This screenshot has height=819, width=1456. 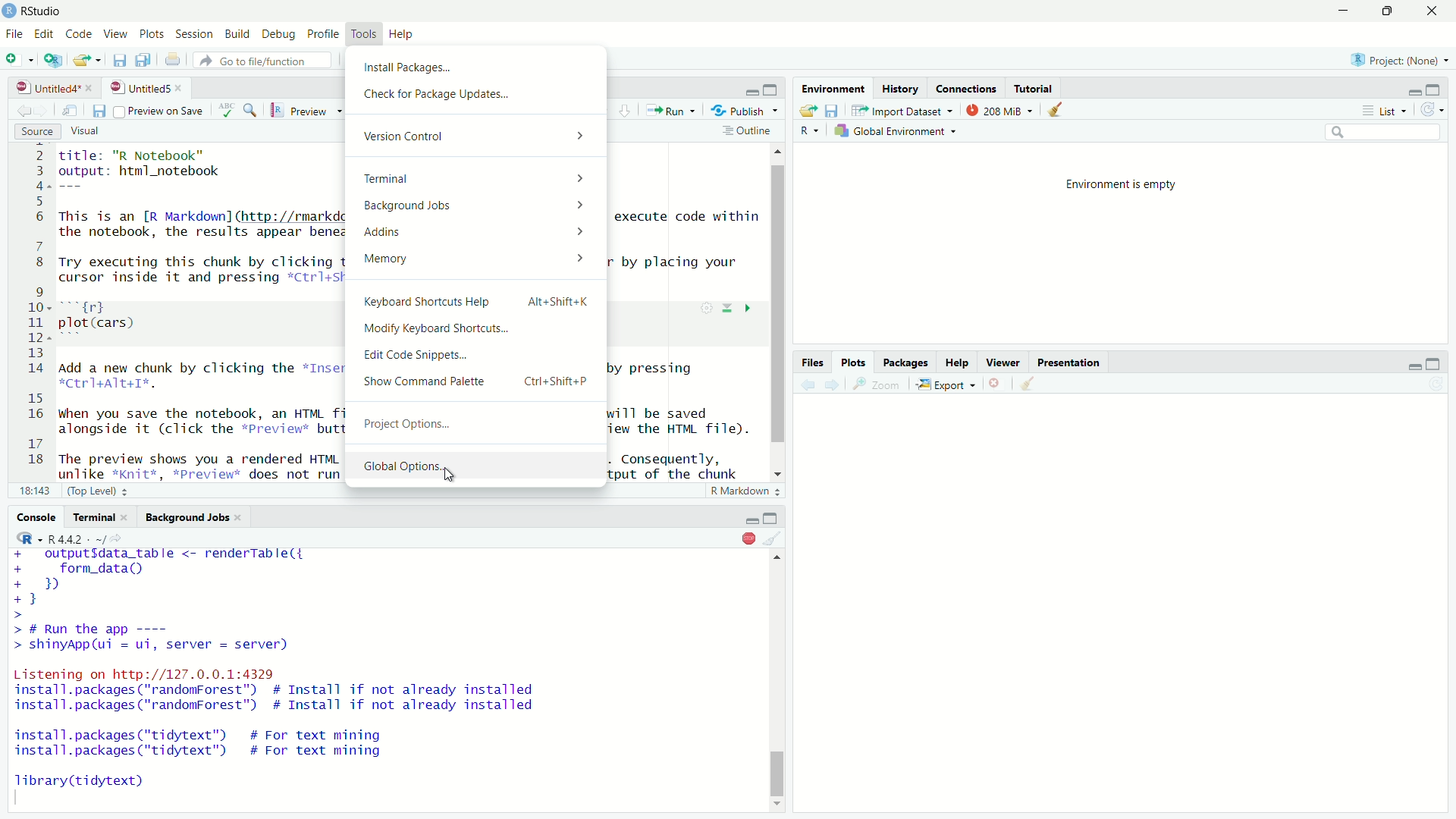 What do you see at coordinates (54, 59) in the screenshot?
I see `Create a project` at bounding box center [54, 59].